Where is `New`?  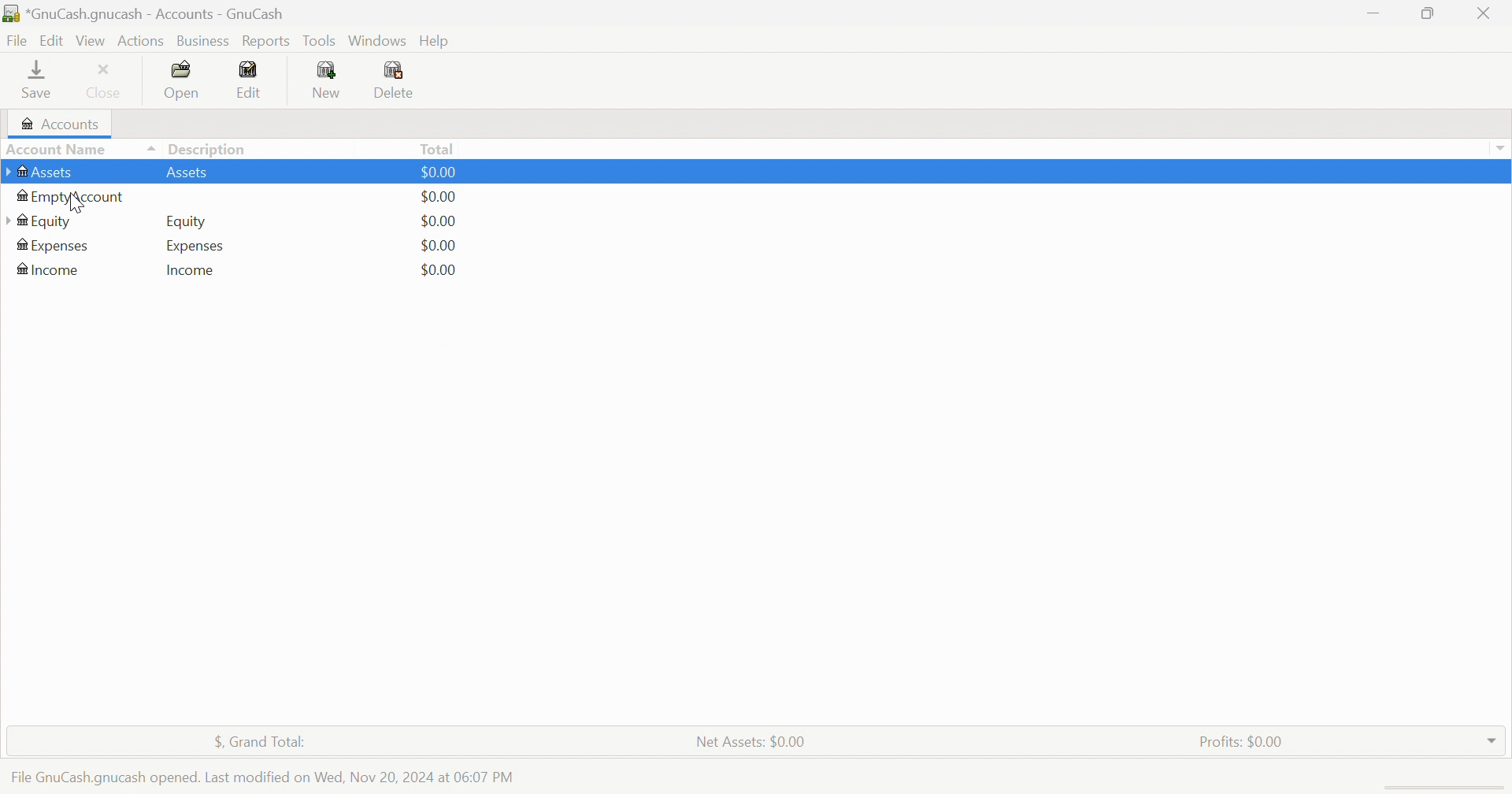
New is located at coordinates (330, 80).